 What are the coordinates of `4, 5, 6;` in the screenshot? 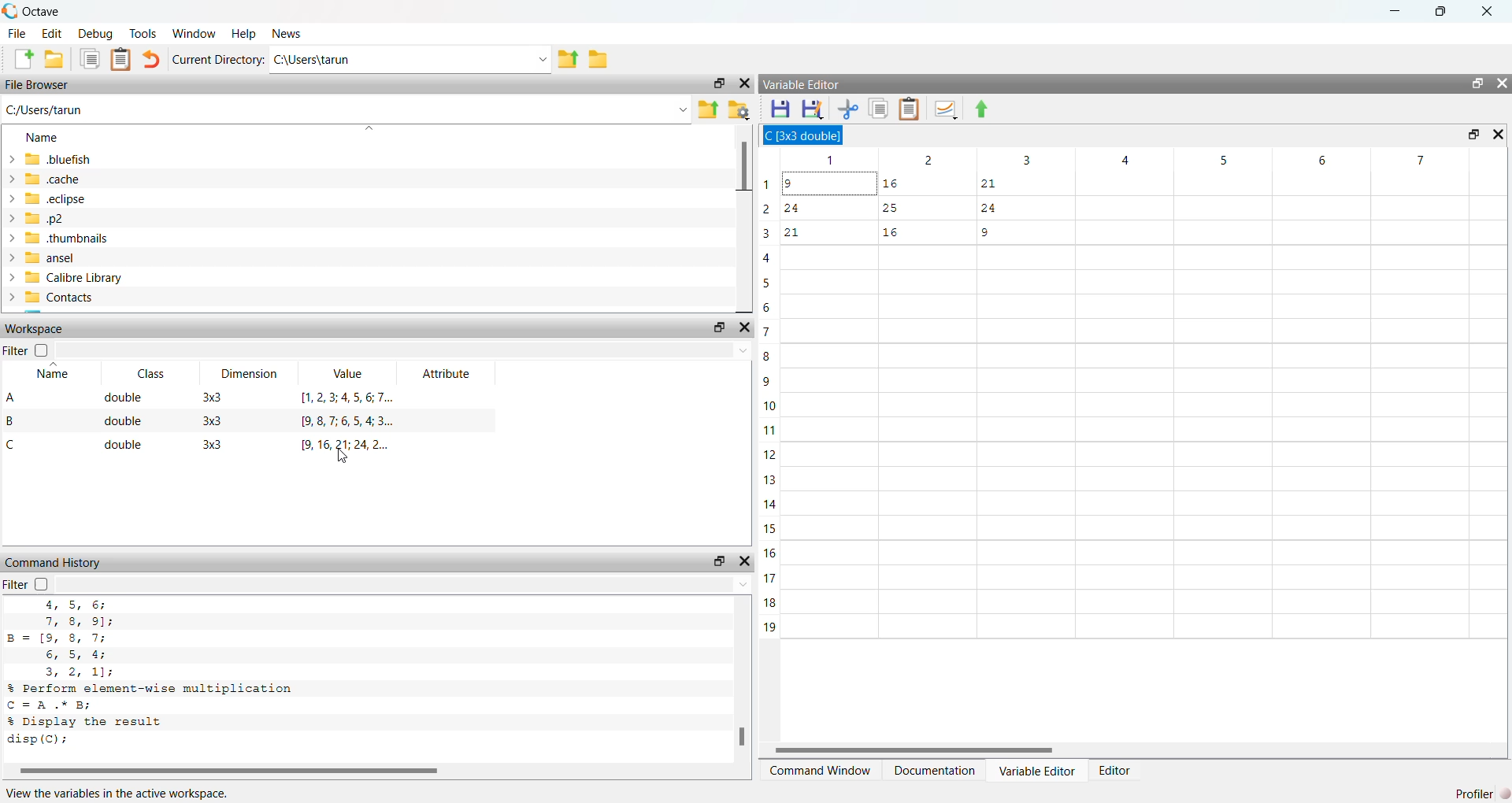 It's located at (72, 605).